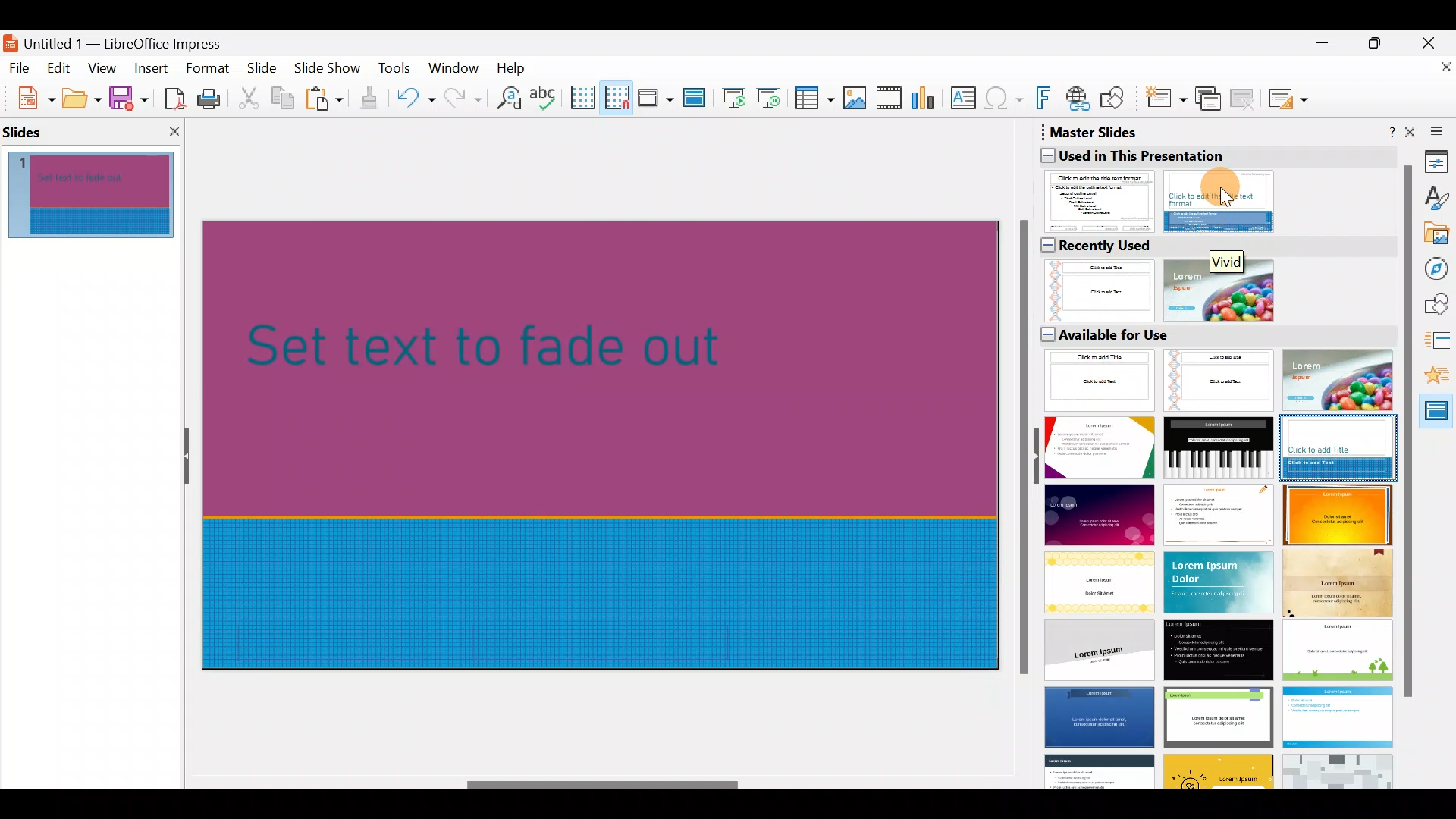  What do you see at coordinates (1438, 416) in the screenshot?
I see `Master slides` at bounding box center [1438, 416].